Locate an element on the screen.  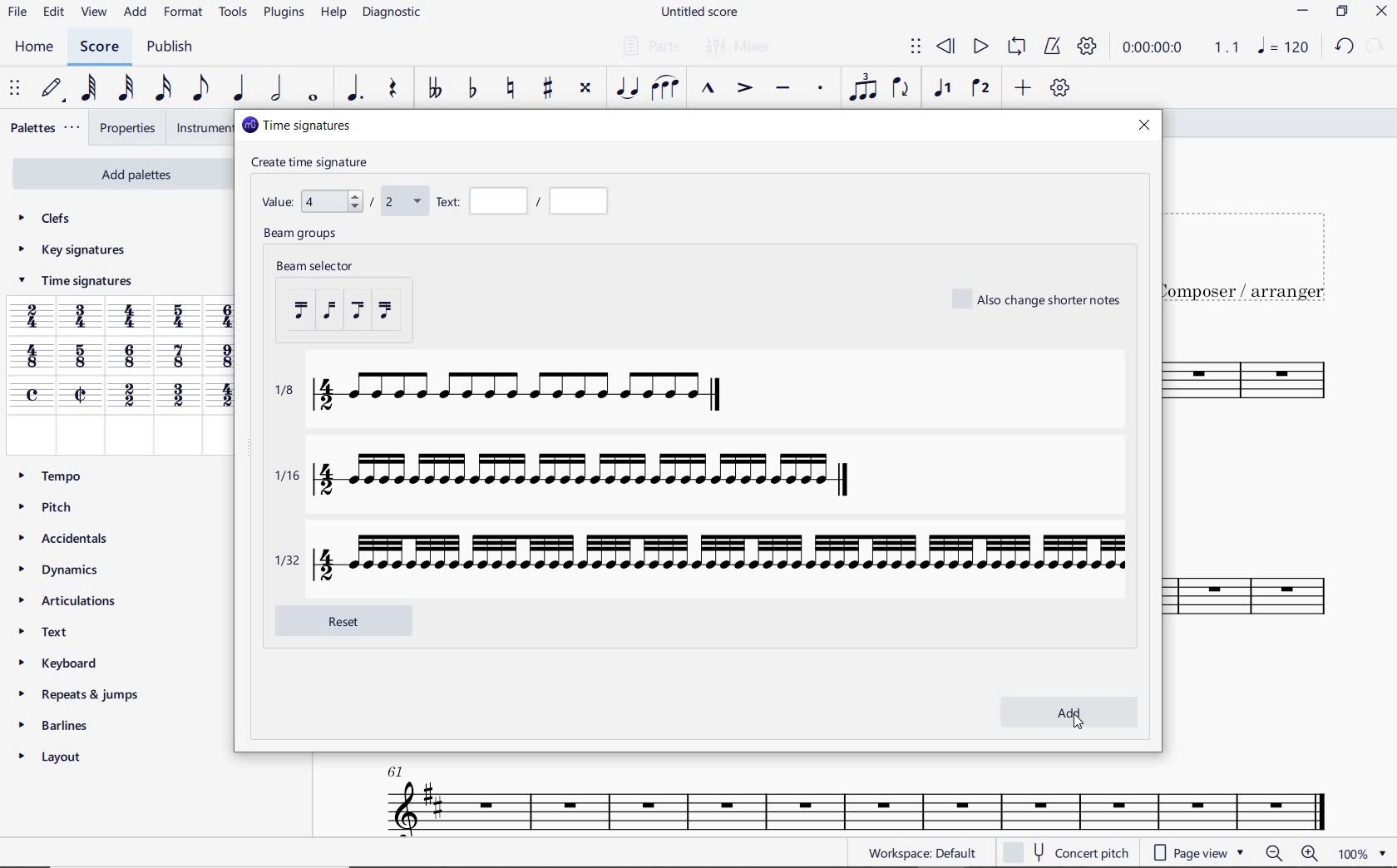
FILE NAME is located at coordinates (701, 14).